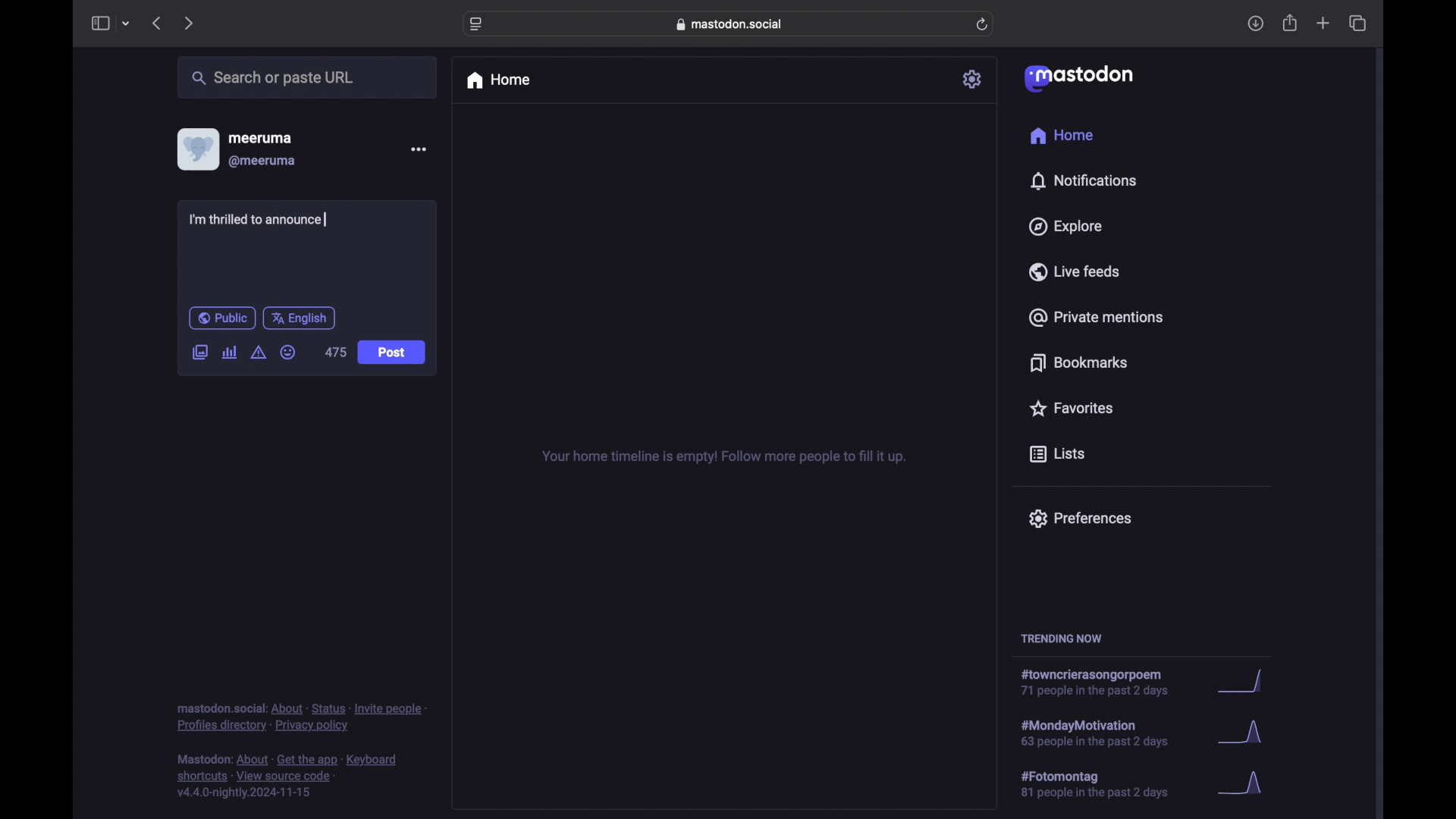 The height and width of the screenshot is (819, 1456). I want to click on share, so click(1291, 23).